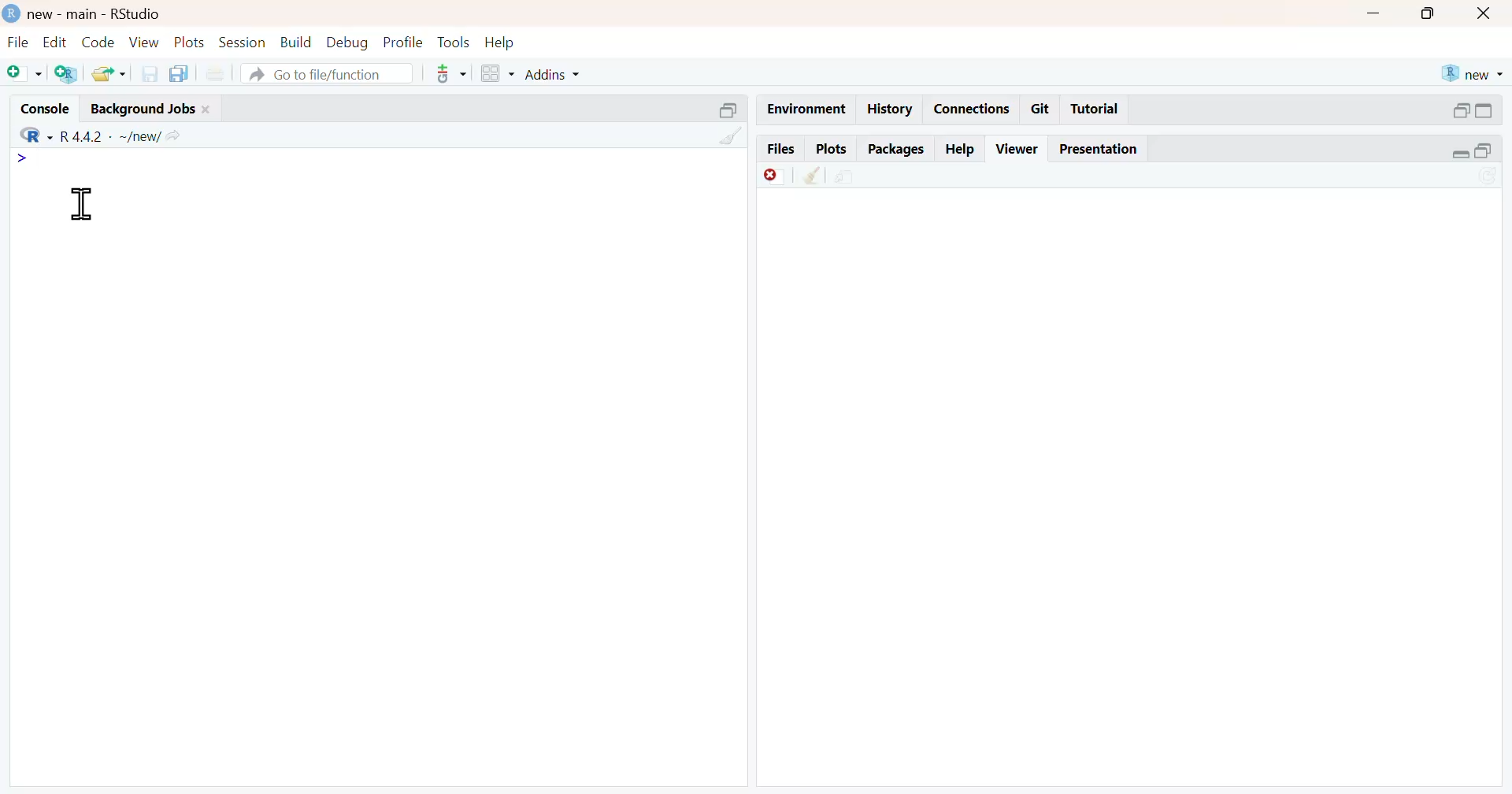 Image resolution: width=1512 pixels, height=794 pixels. What do you see at coordinates (1369, 15) in the screenshot?
I see `minimize` at bounding box center [1369, 15].